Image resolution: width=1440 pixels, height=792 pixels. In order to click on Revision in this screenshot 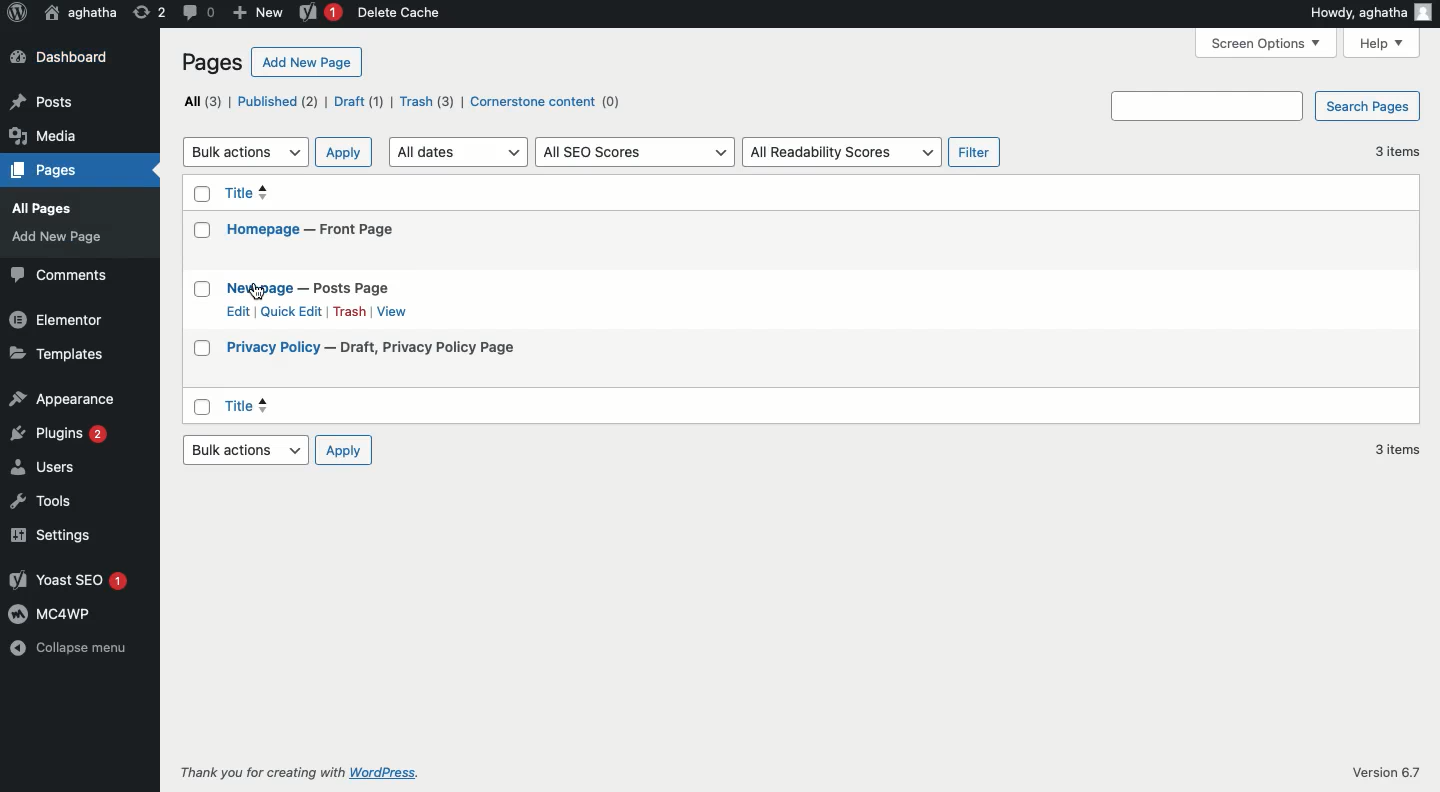, I will do `click(149, 14)`.